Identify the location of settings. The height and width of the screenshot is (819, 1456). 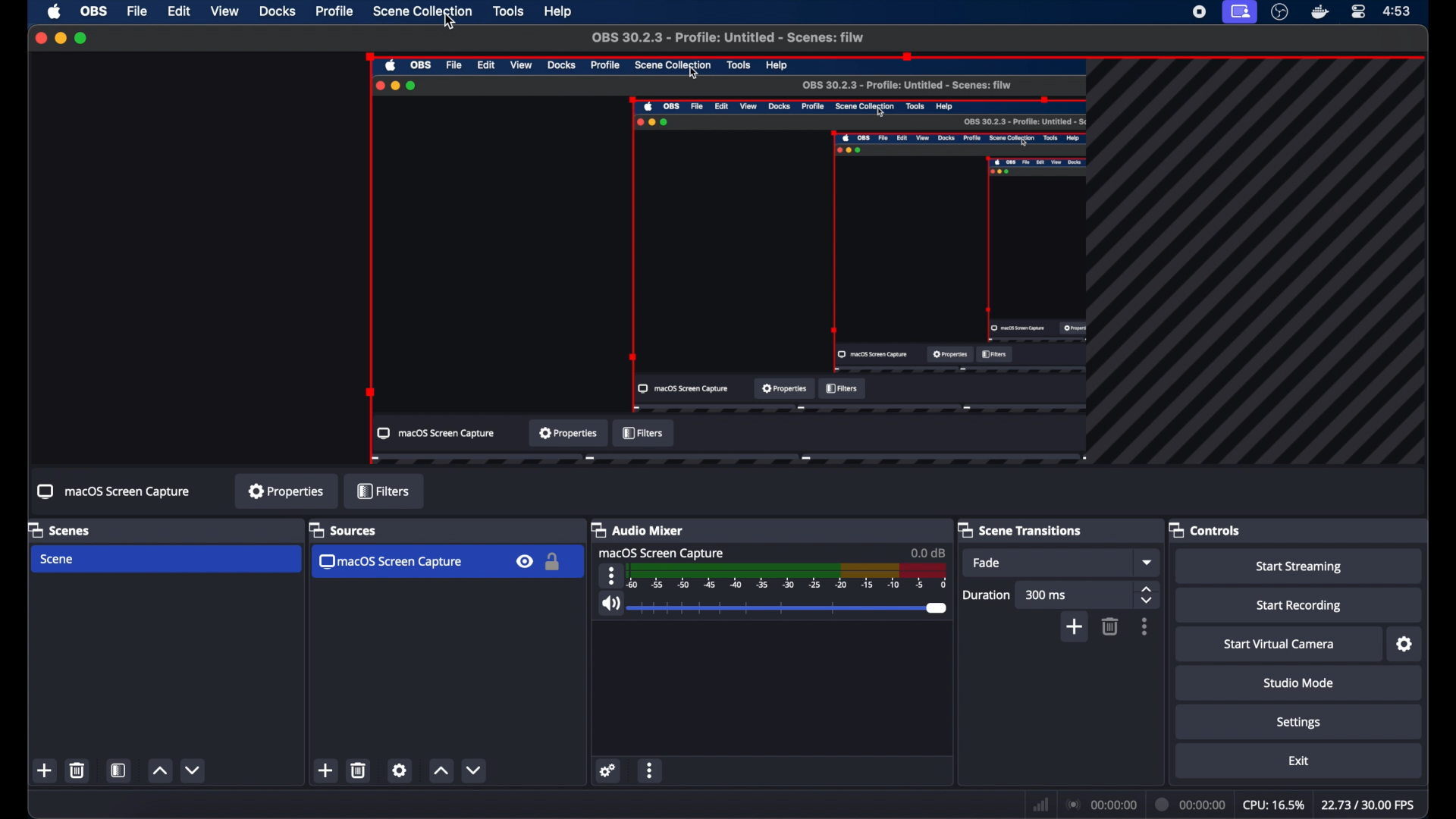
(400, 770).